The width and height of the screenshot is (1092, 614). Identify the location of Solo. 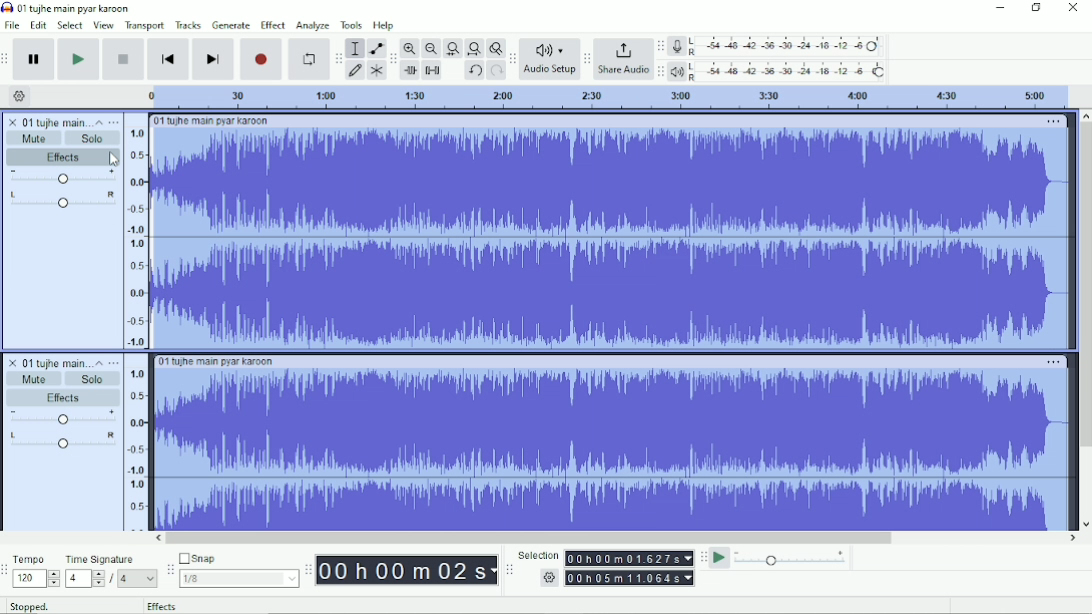
(96, 140).